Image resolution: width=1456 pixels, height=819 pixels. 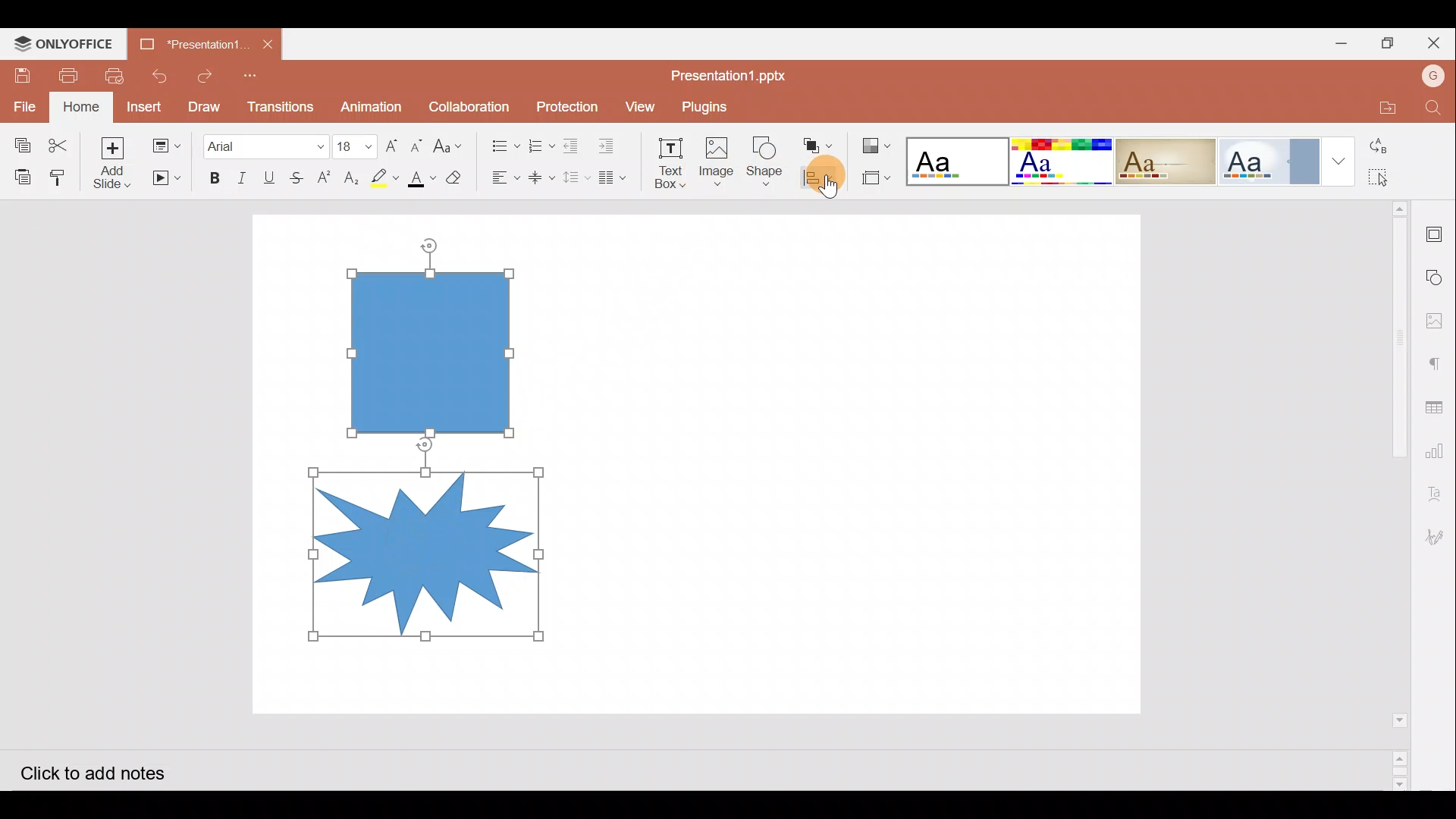 What do you see at coordinates (1389, 494) in the screenshot?
I see `Scroll bar` at bounding box center [1389, 494].